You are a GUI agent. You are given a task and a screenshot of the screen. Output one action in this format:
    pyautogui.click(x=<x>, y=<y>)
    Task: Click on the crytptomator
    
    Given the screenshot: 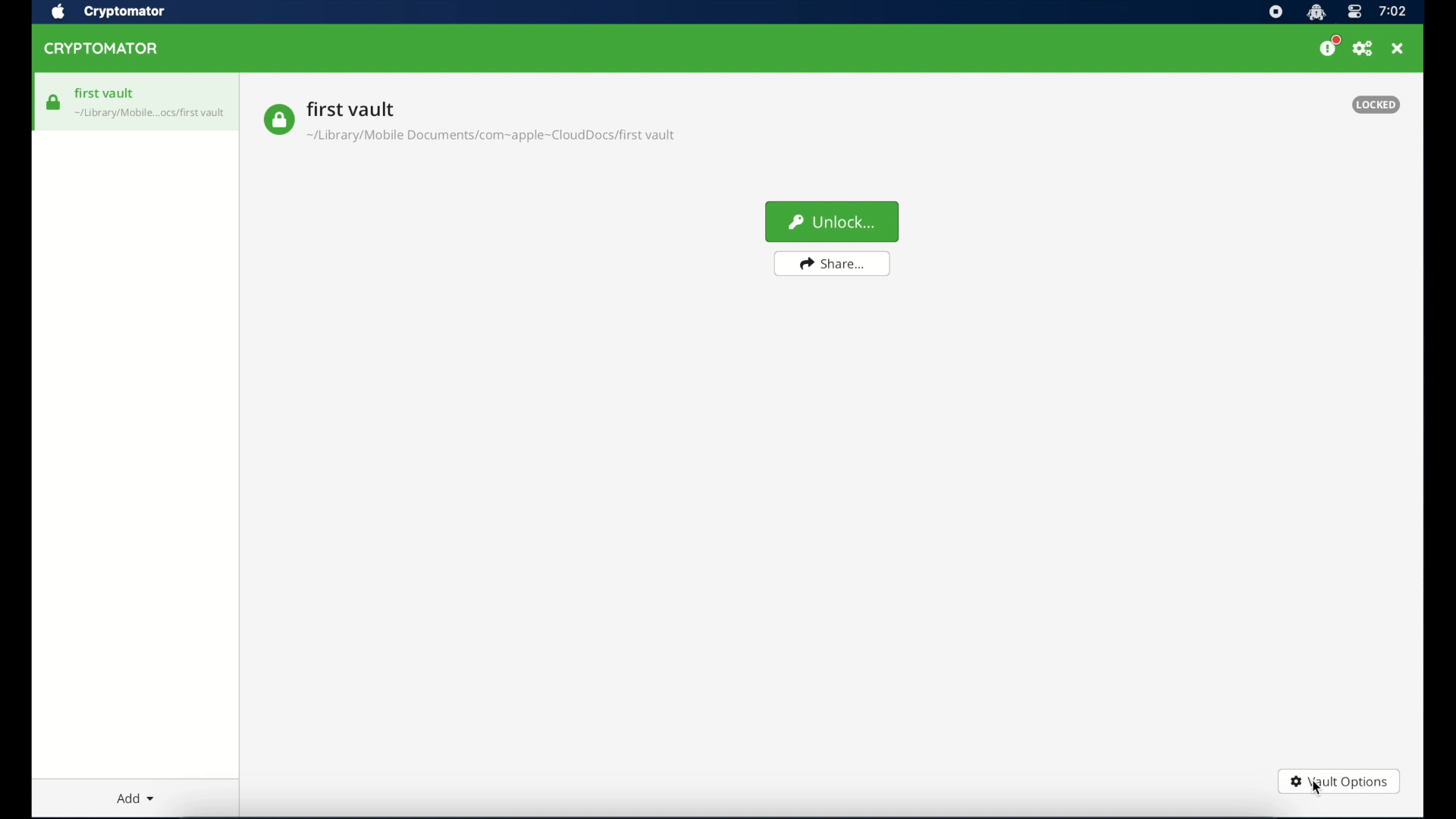 What is the action you would take?
    pyautogui.click(x=124, y=13)
    